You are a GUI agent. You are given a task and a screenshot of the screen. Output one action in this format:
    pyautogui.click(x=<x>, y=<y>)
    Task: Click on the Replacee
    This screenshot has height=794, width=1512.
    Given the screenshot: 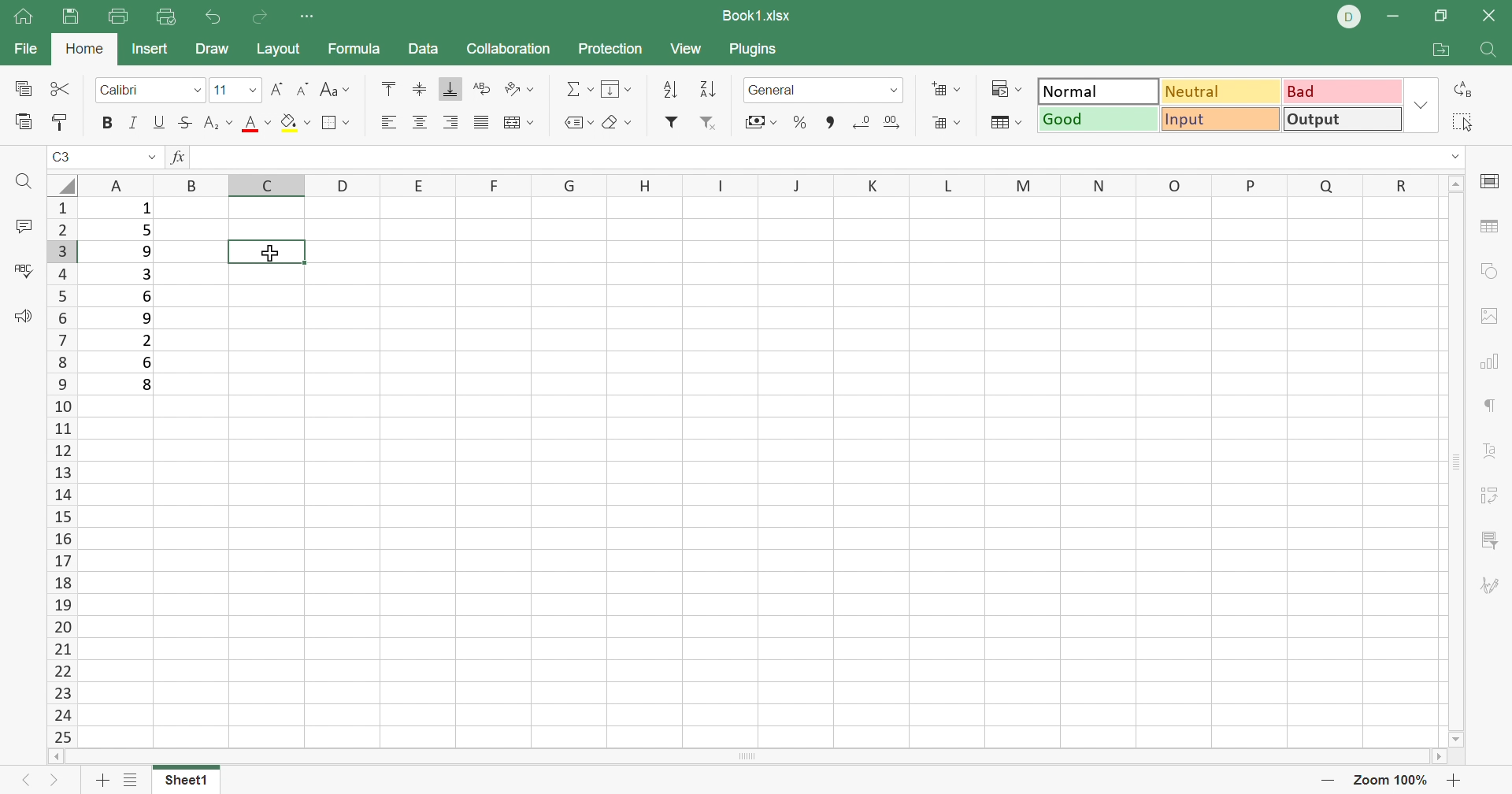 What is the action you would take?
    pyautogui.click(x=1465, y=89)
    